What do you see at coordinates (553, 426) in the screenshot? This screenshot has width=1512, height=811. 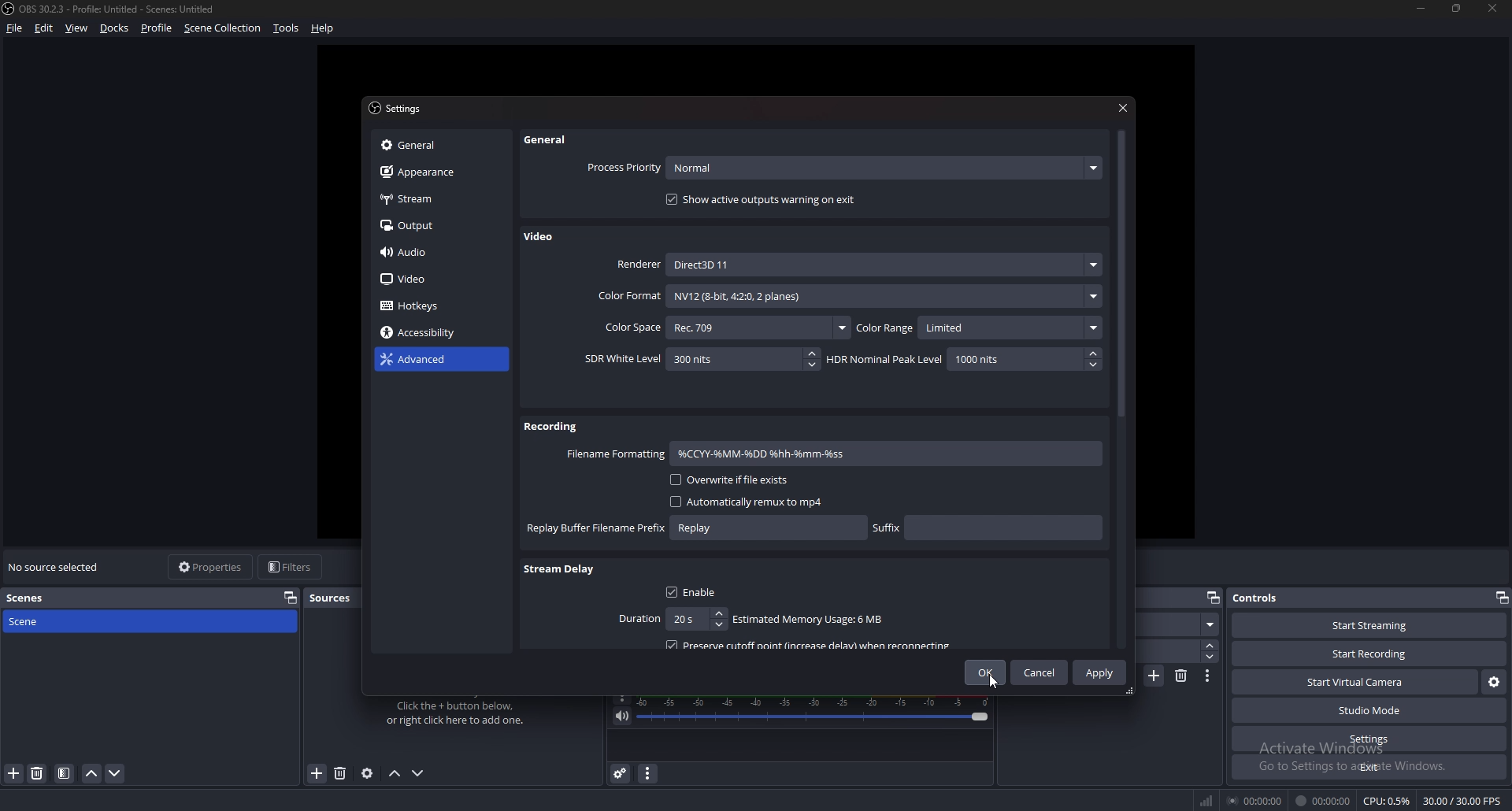 I see `Recording` at bounding box center [553, 426].